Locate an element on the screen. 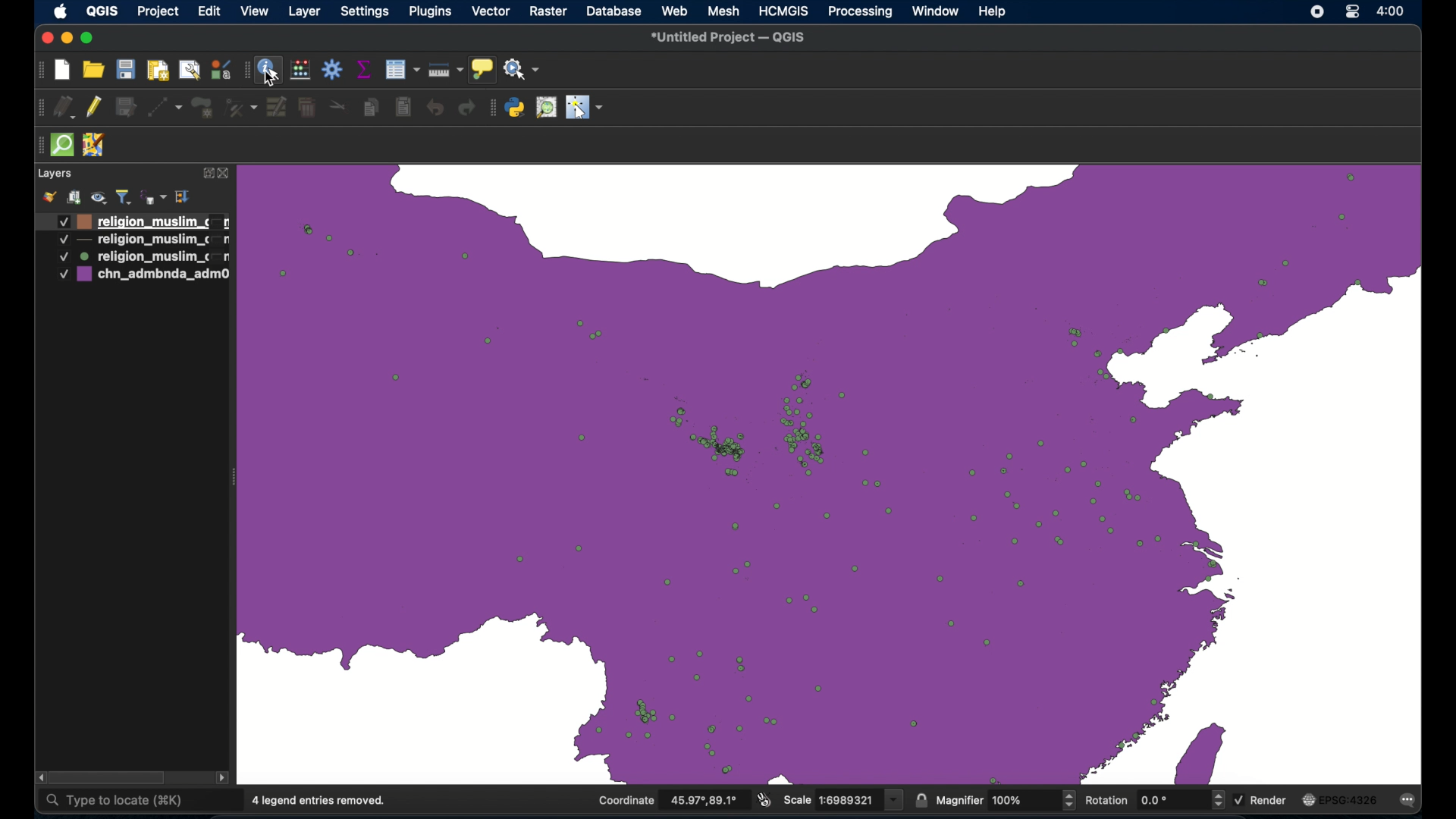  4 legend entries removed is located at coordinates (320, 801).